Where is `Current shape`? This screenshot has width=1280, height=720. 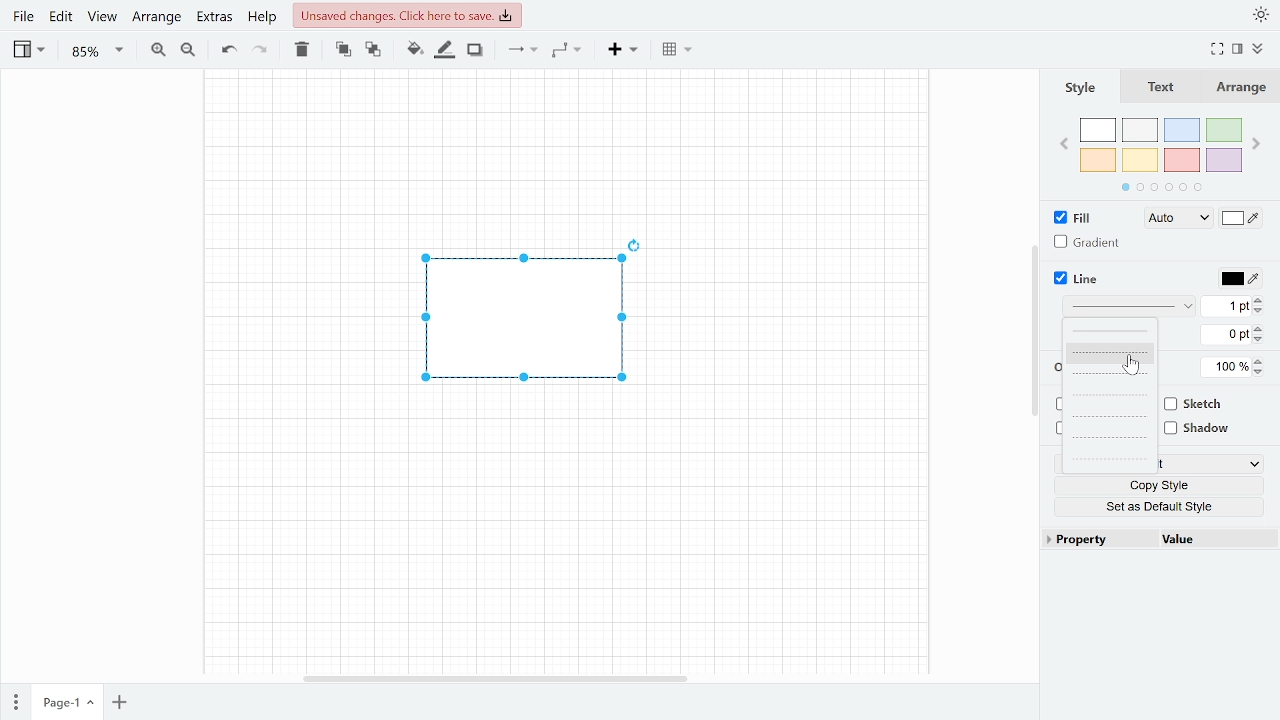 Current shape is located at coordinates (530, 326).